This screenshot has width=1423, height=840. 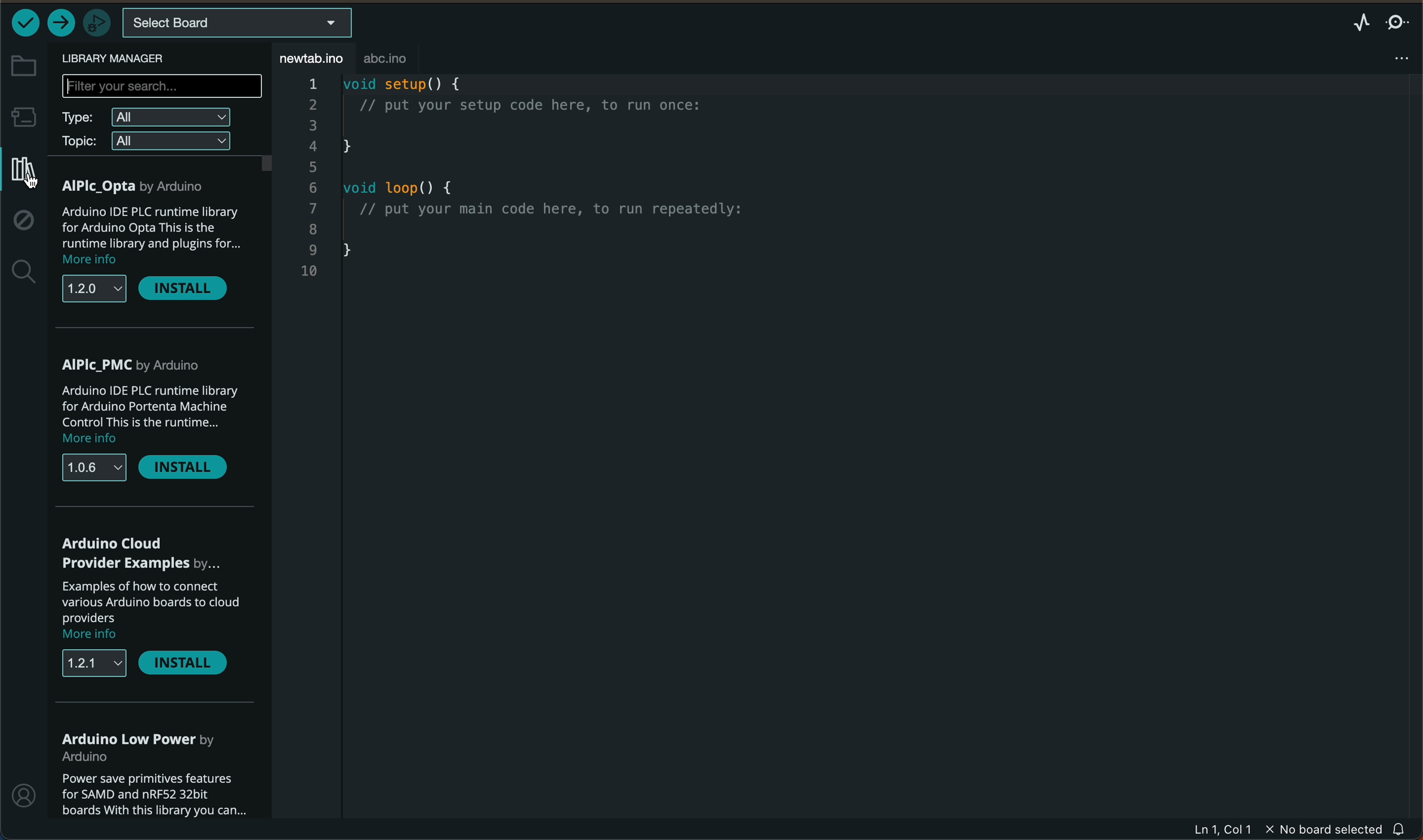 What do you see at coordinates (25, 794) in the screenshot?
I see `profile` at bounding box center [25, 794].